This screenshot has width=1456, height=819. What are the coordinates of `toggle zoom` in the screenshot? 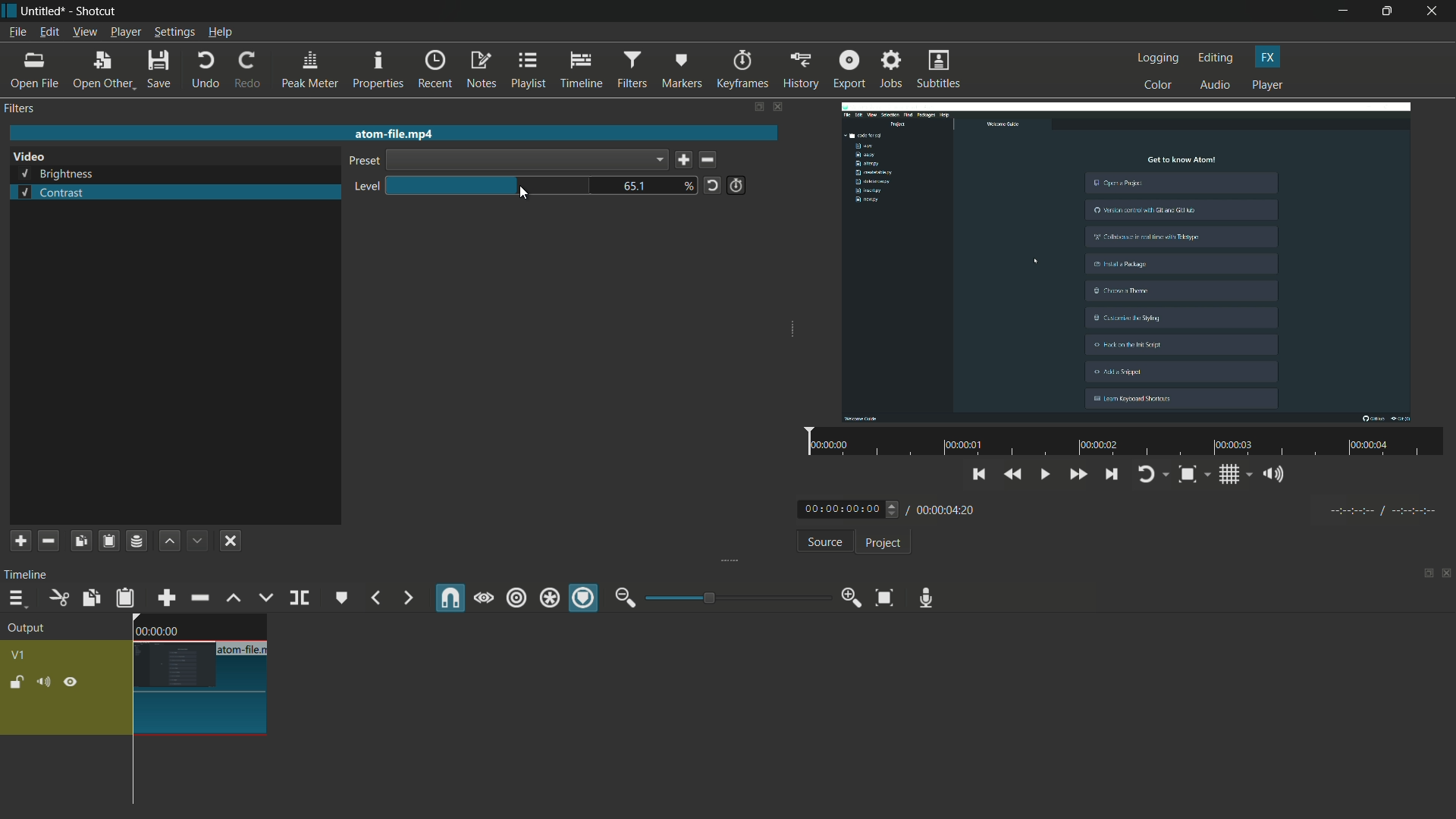 It's located at (1193, 475).